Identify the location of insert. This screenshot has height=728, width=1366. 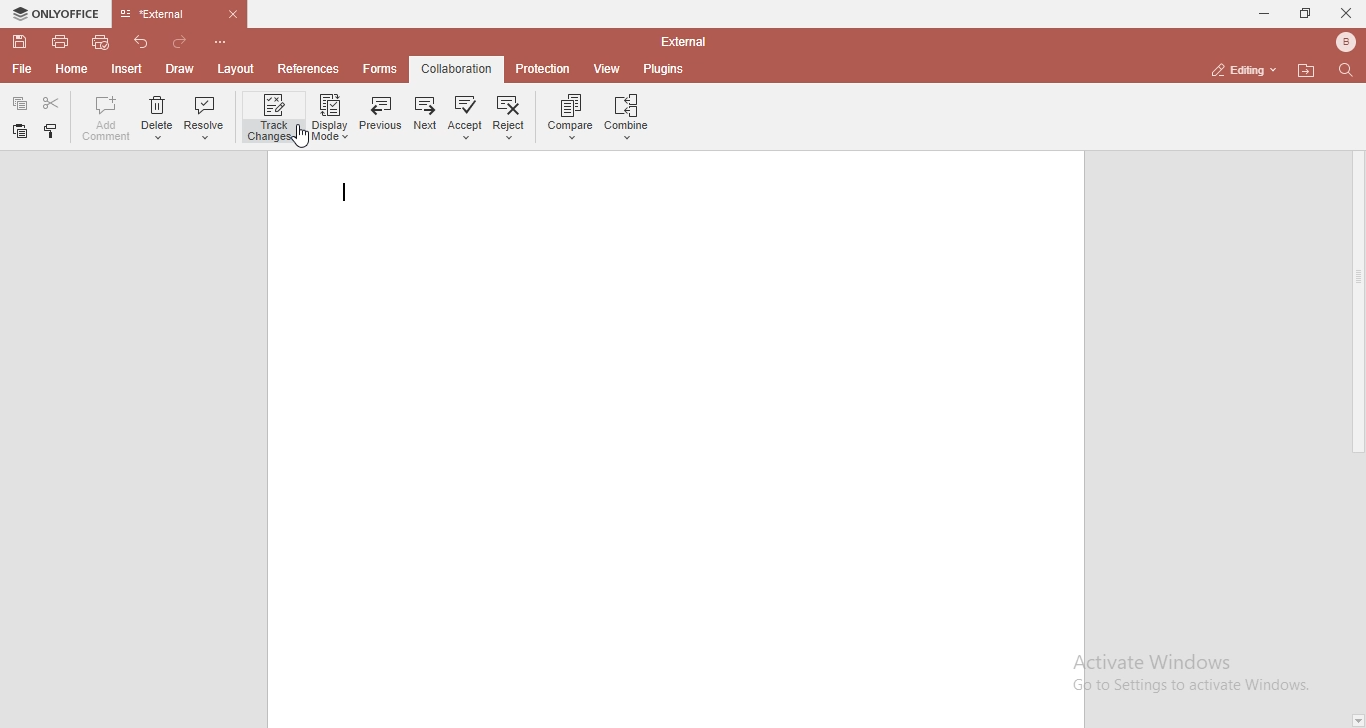
(129, 69).